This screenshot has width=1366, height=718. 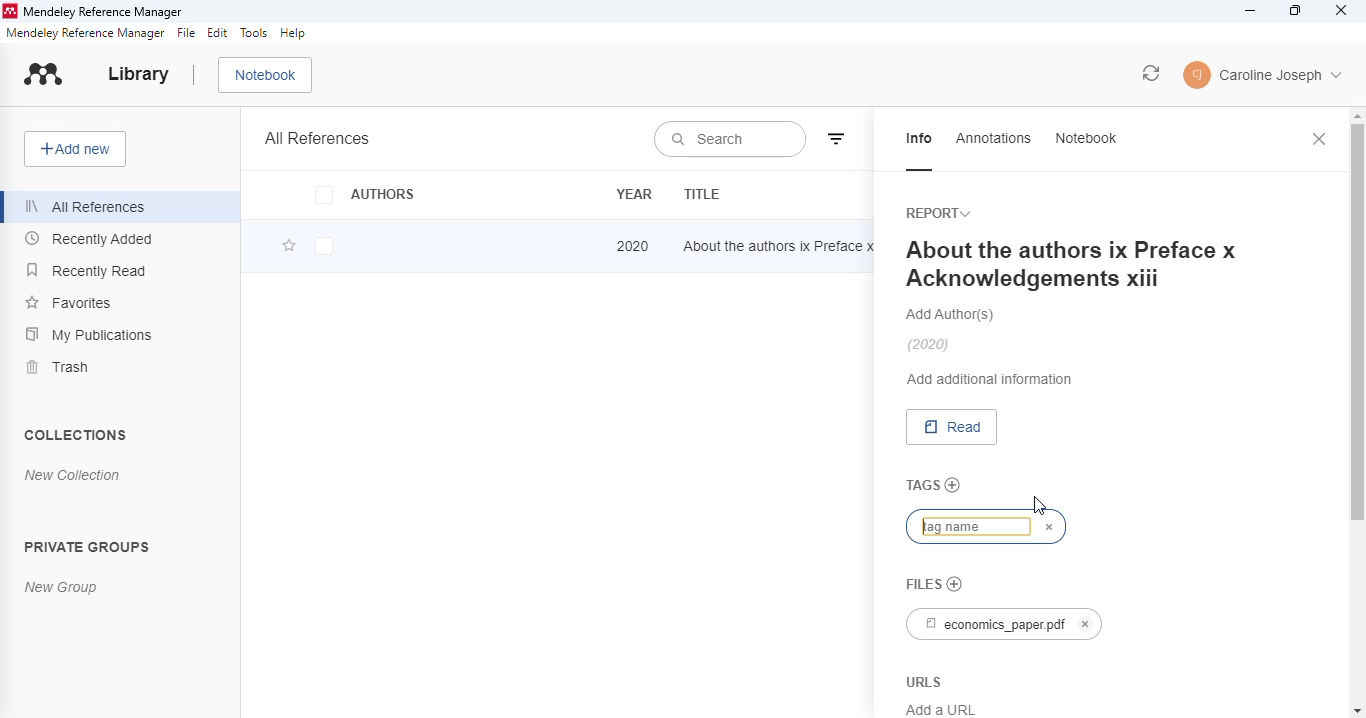 I want to click on all references, so click(x=318, y=138).